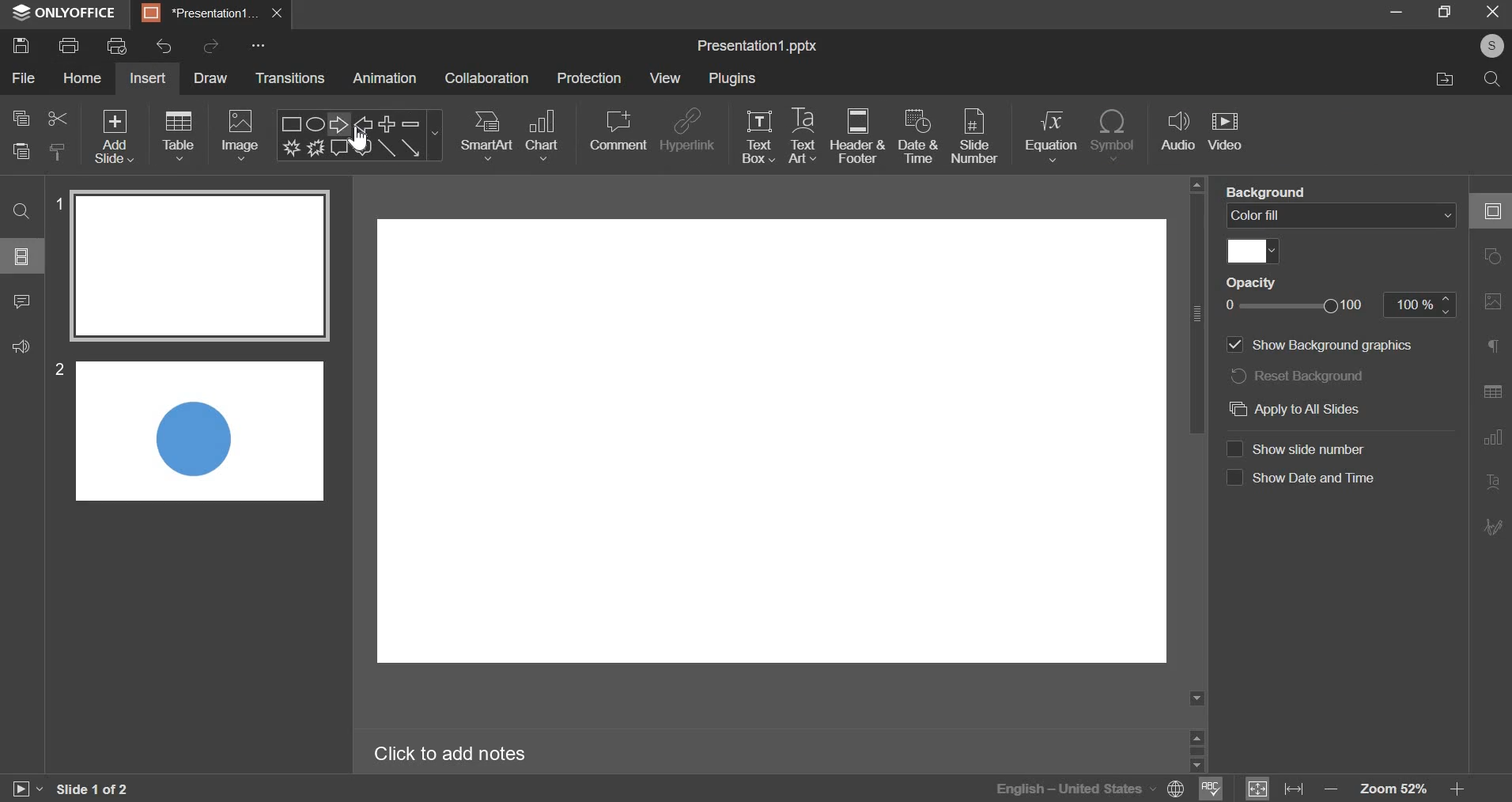  Describe the element at coordinates (1341, 306) in the screenshot. I see `opacity slider from 0 to 100` at that location.